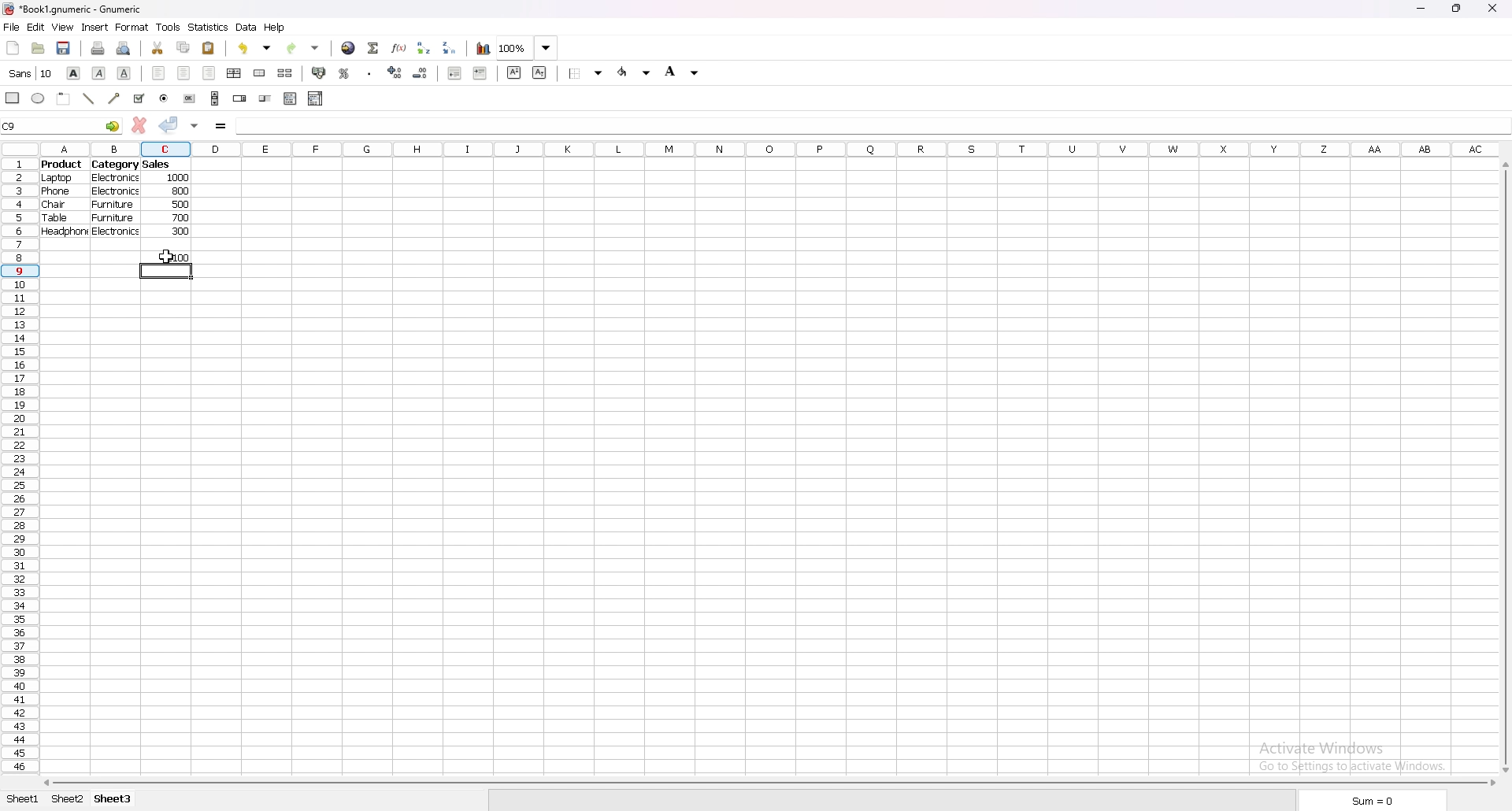 This screenshot has width=1512, height=811. Describe the element at coordinates (1373, 802) in the screenshot. I see `sum=0` at that location.